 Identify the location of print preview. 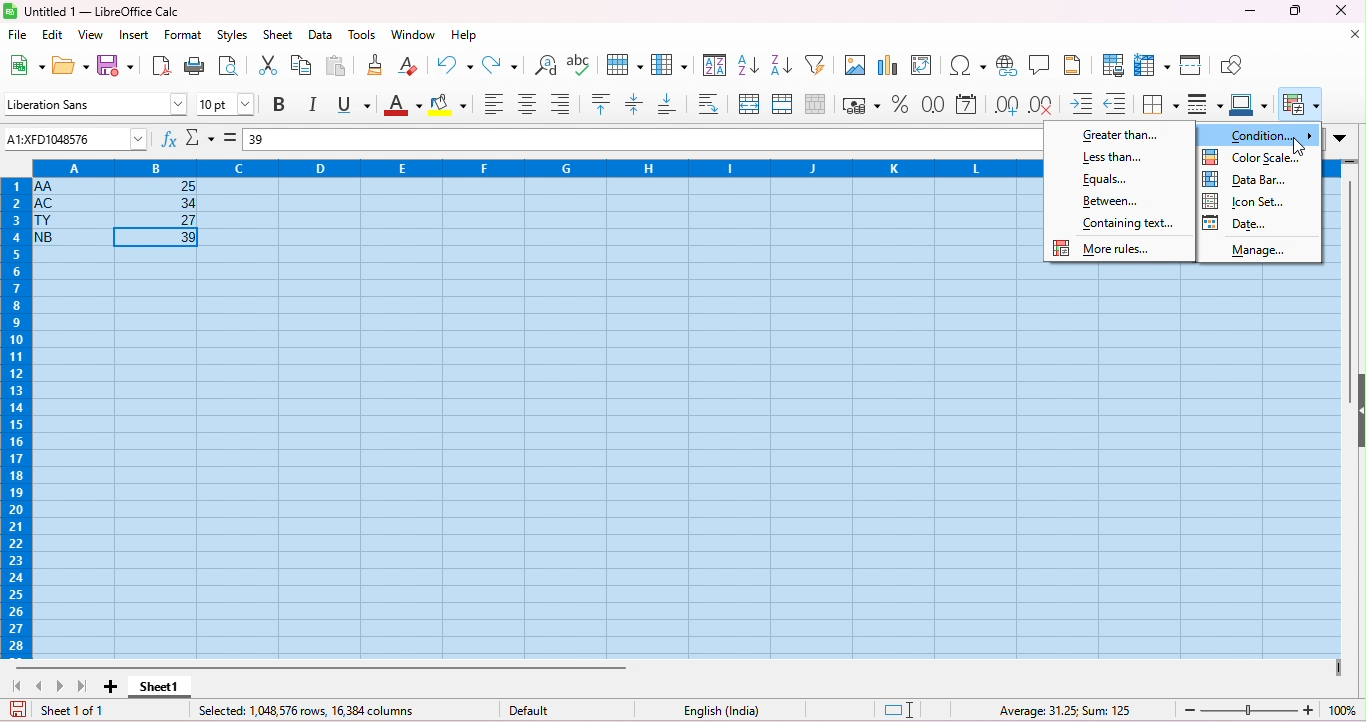
(230, 66).